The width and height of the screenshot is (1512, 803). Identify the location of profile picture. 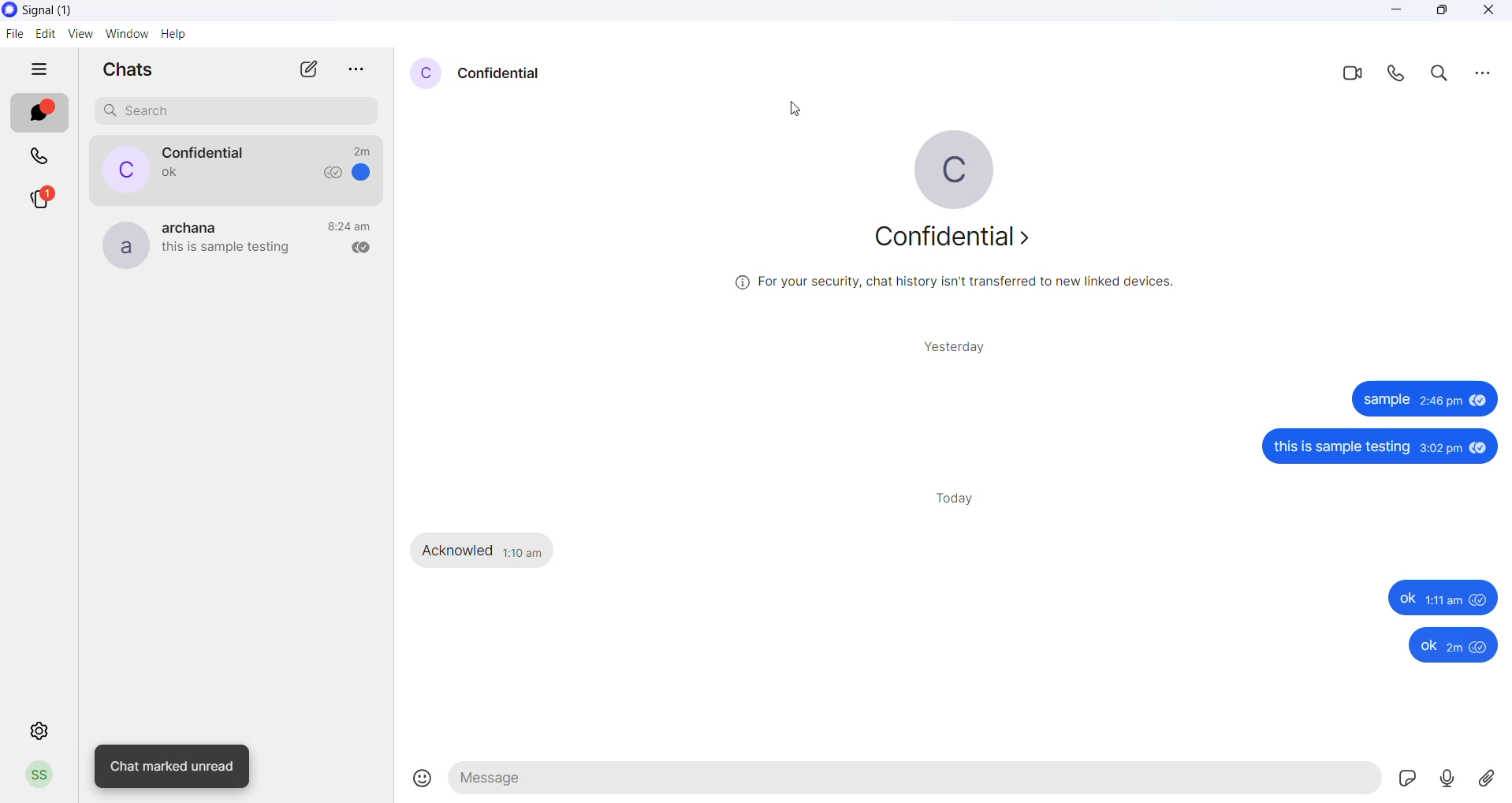
(966, 166).